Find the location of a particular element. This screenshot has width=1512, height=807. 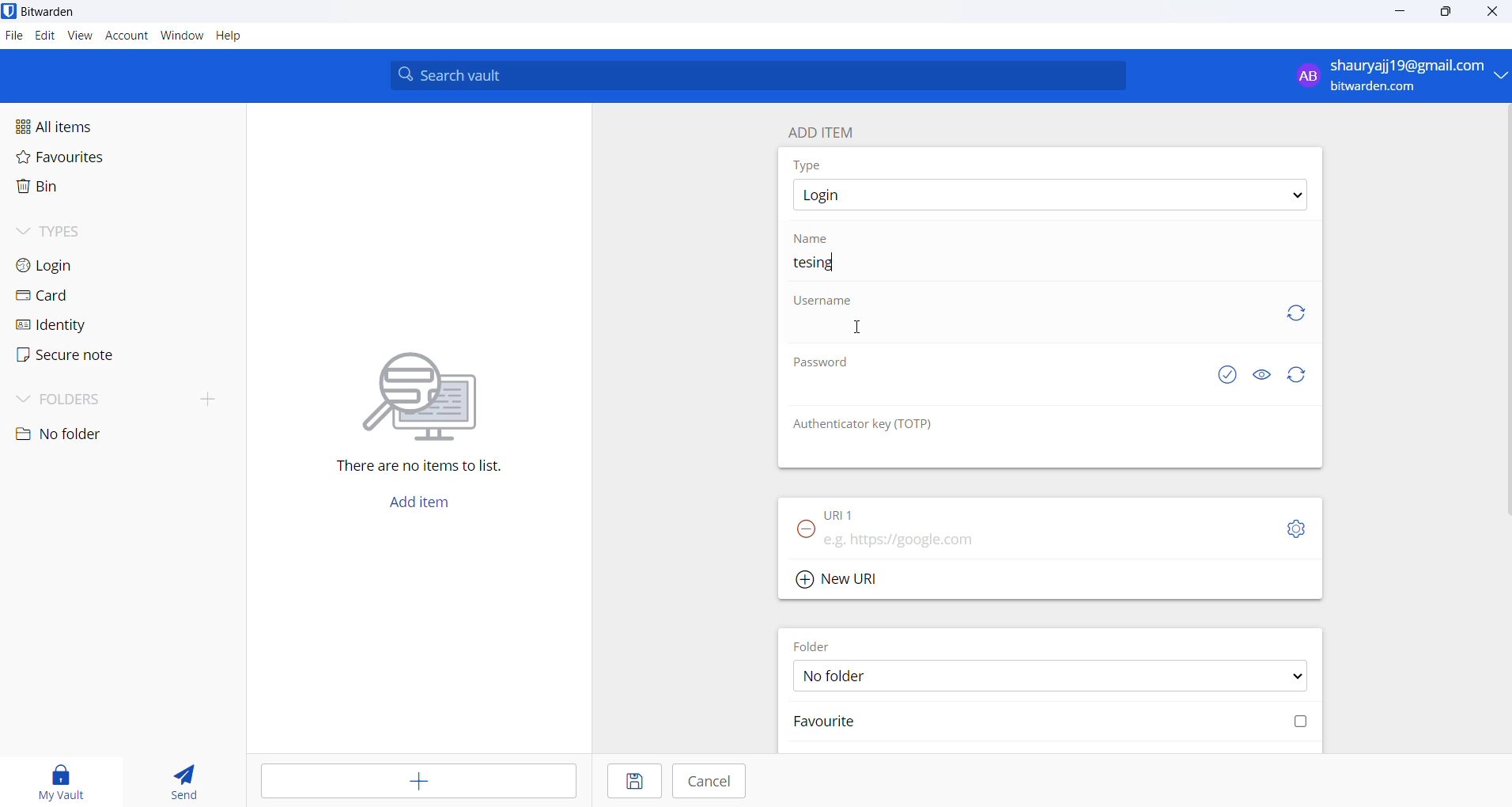

URL input box is located at coordinates (1045, 535).